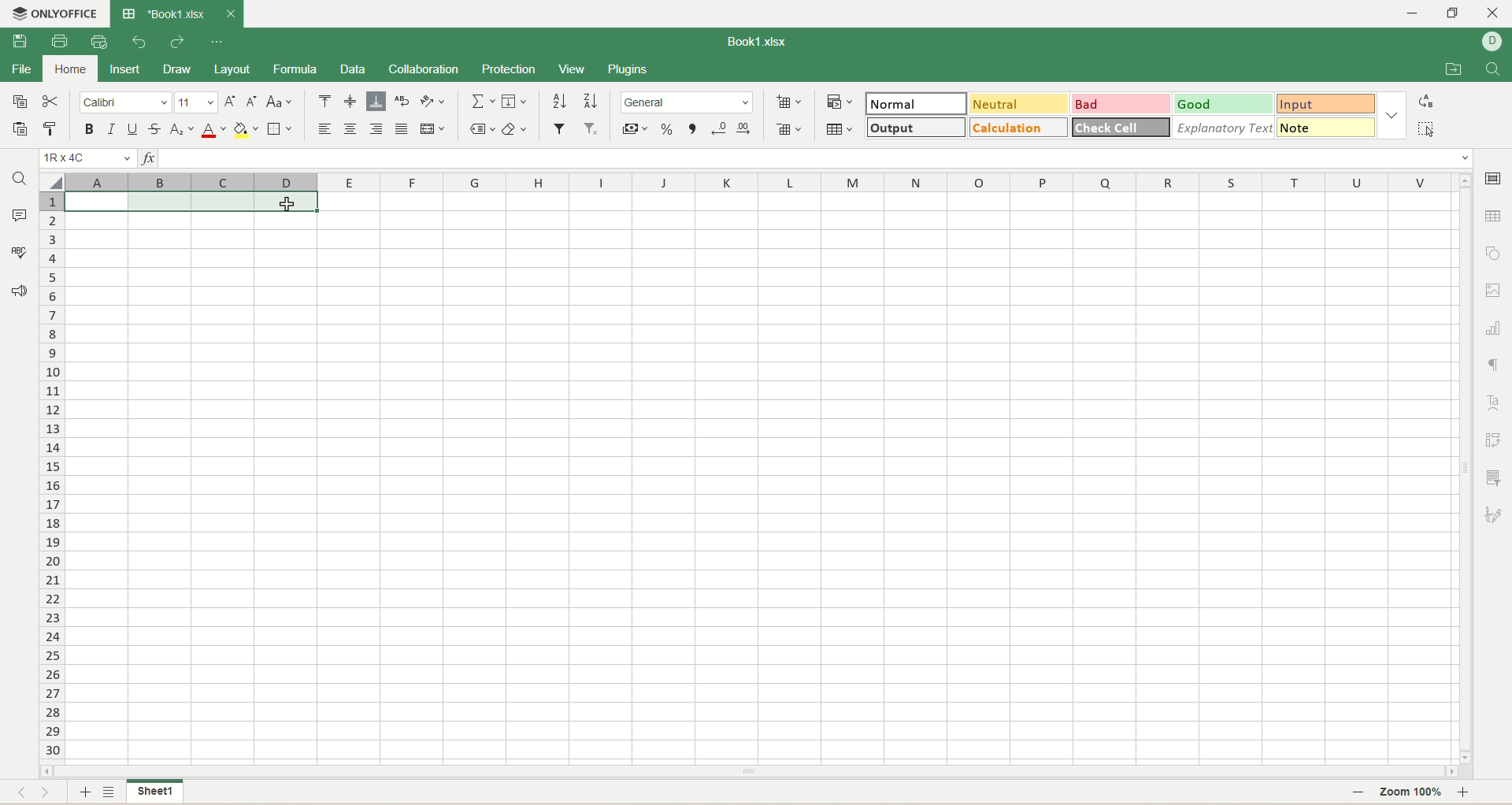  I want to click on next, so click(53, 794).